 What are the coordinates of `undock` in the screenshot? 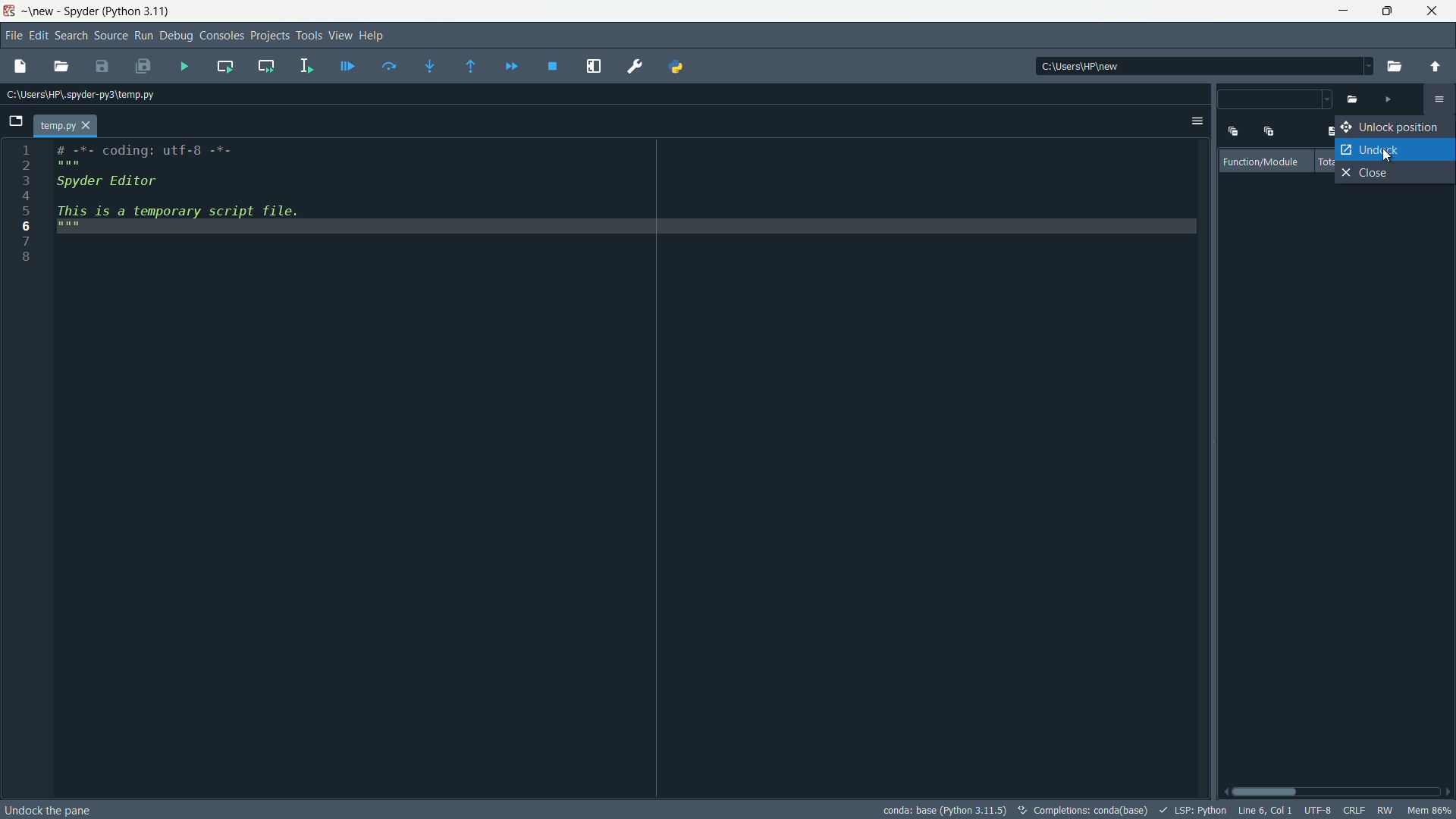 It's located at (1368, 149).